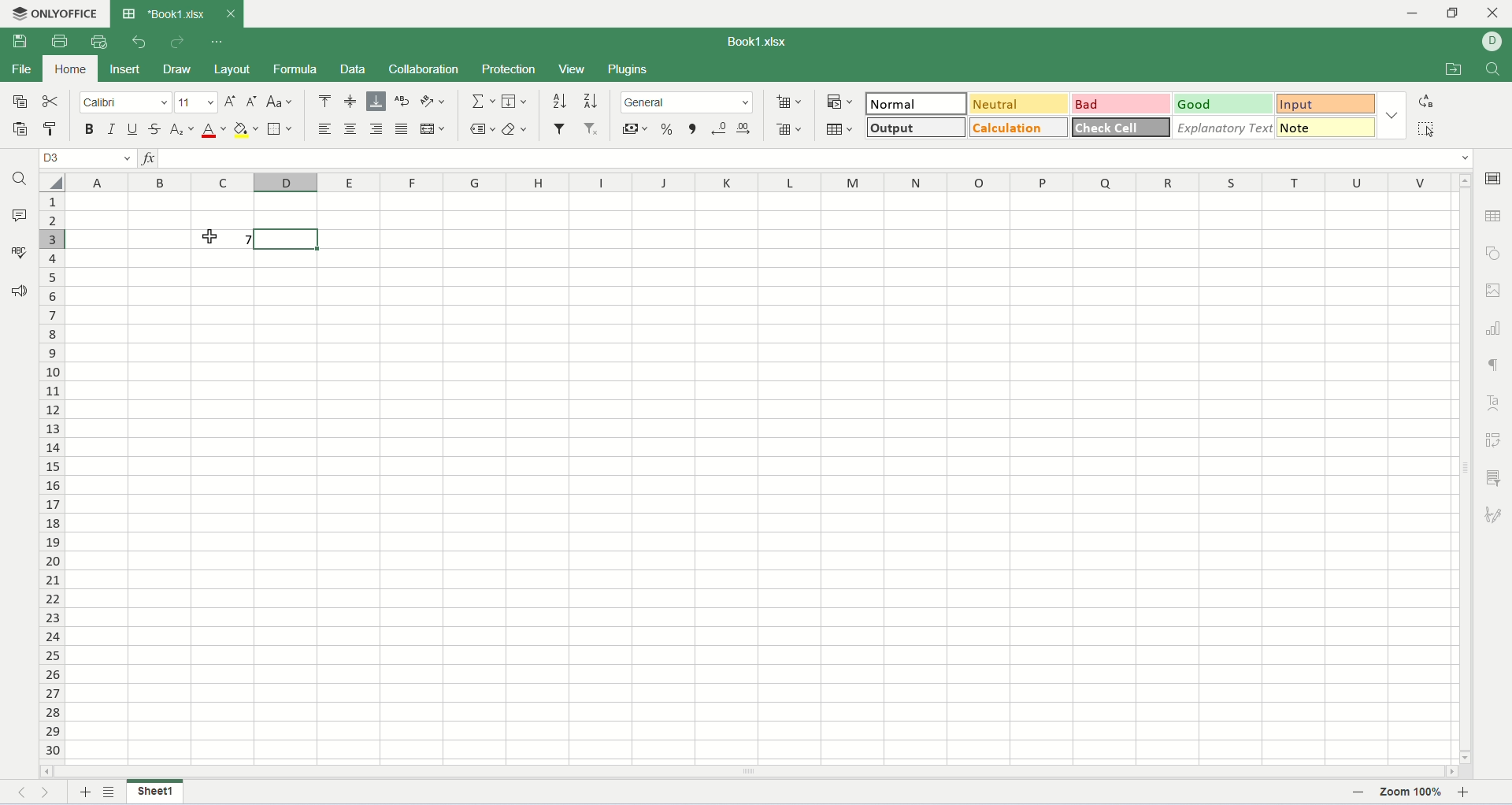 The image size is (1512, 805). I want to click on new sheet, so click(86, 793).